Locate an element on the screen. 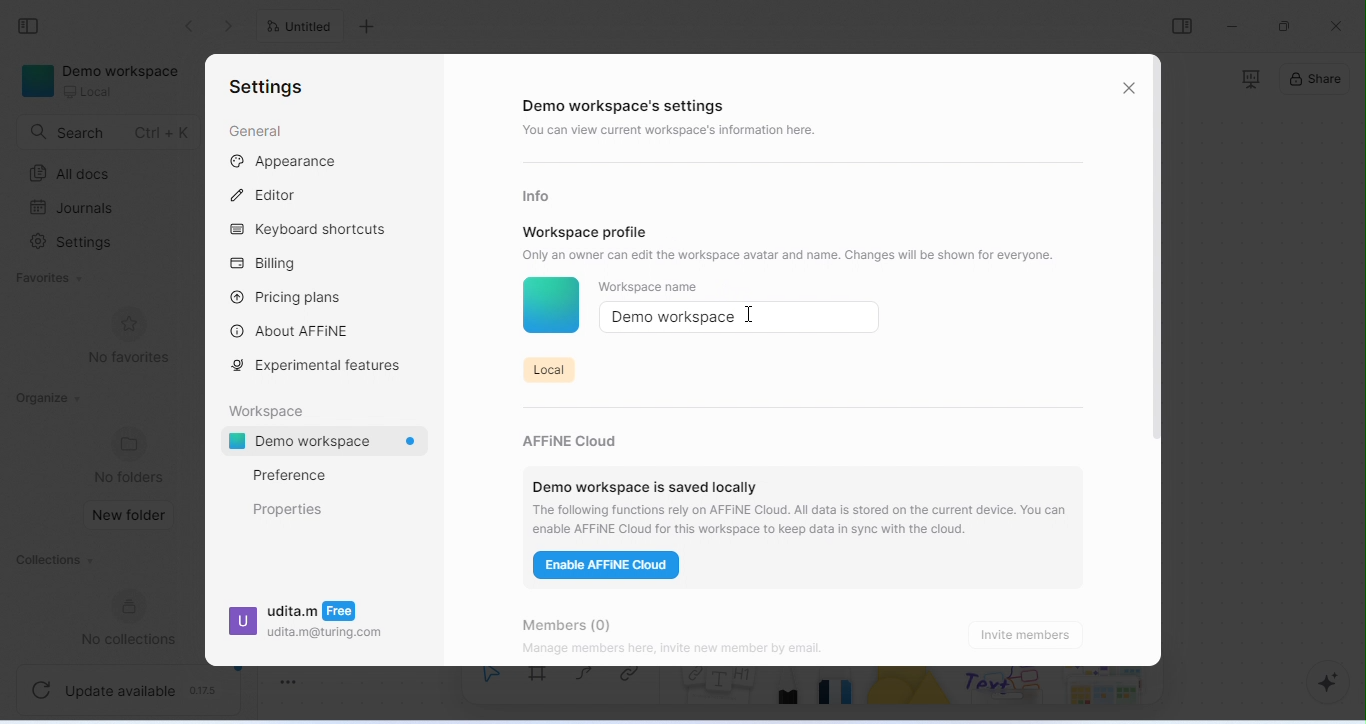  members is located at coordinates (581, 621).